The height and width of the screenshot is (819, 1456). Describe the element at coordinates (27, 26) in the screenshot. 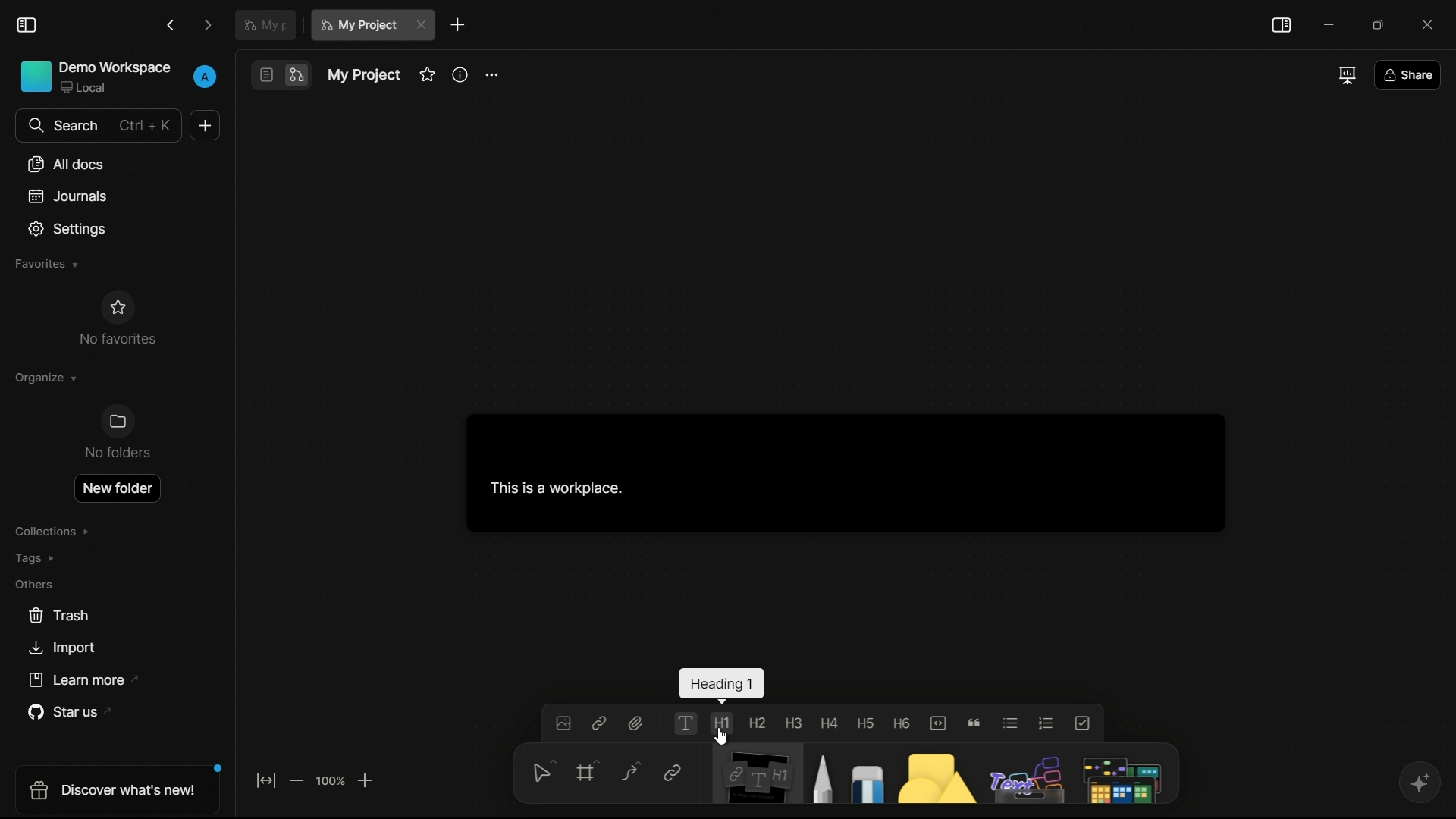

I see `toggle sidebar` at that location.